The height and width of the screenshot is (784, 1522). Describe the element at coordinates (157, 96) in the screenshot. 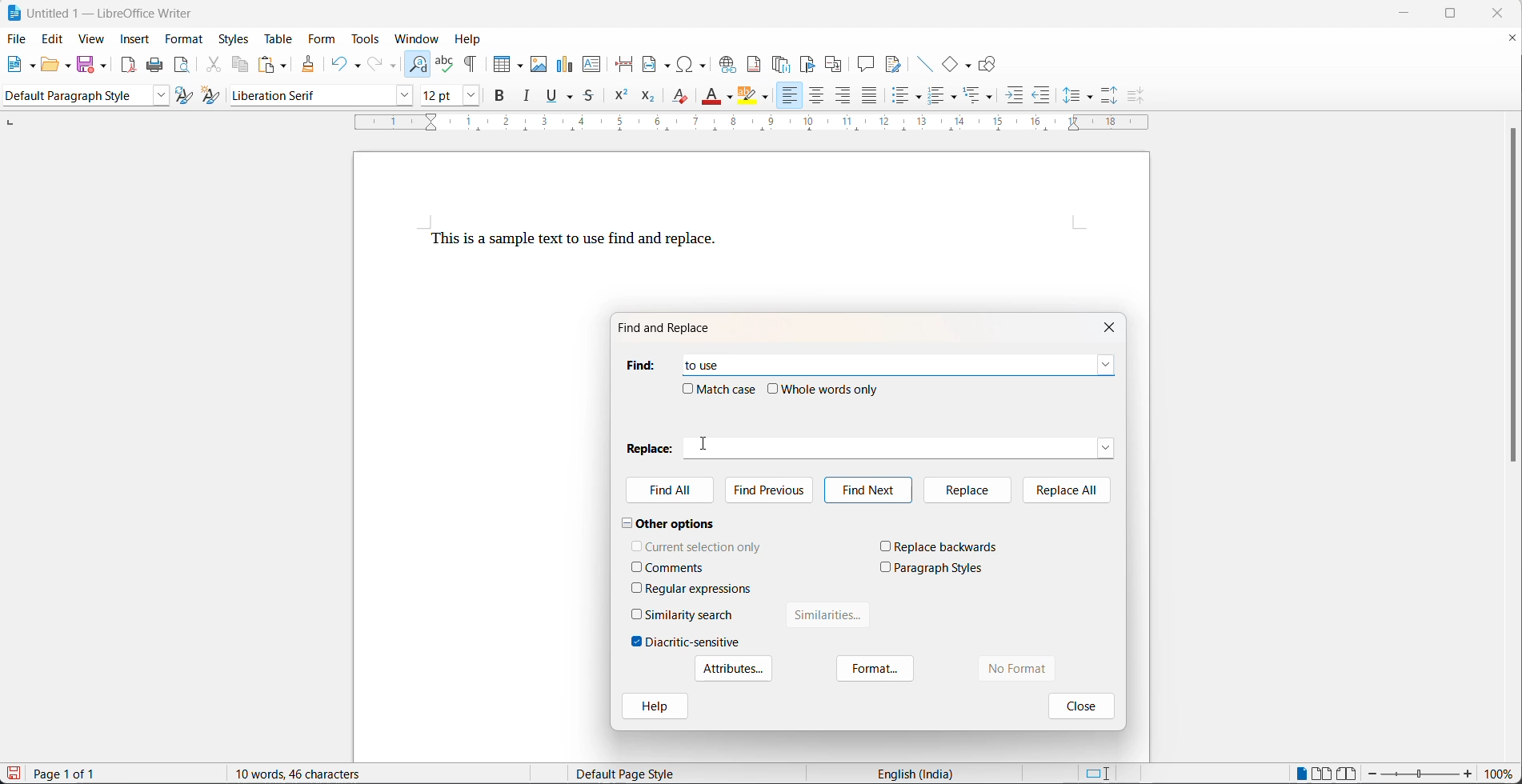

I see `style options` at that location.